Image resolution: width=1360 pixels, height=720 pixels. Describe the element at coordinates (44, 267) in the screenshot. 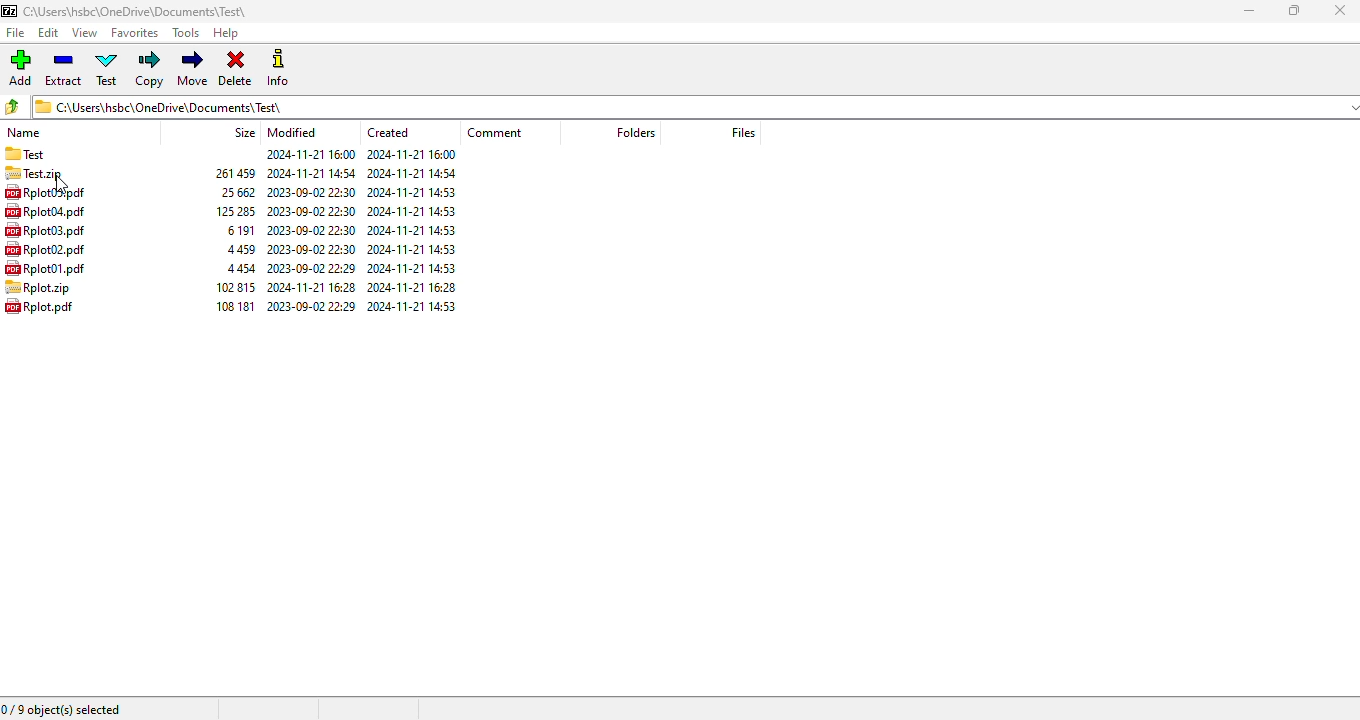

I see `file name` at that location.